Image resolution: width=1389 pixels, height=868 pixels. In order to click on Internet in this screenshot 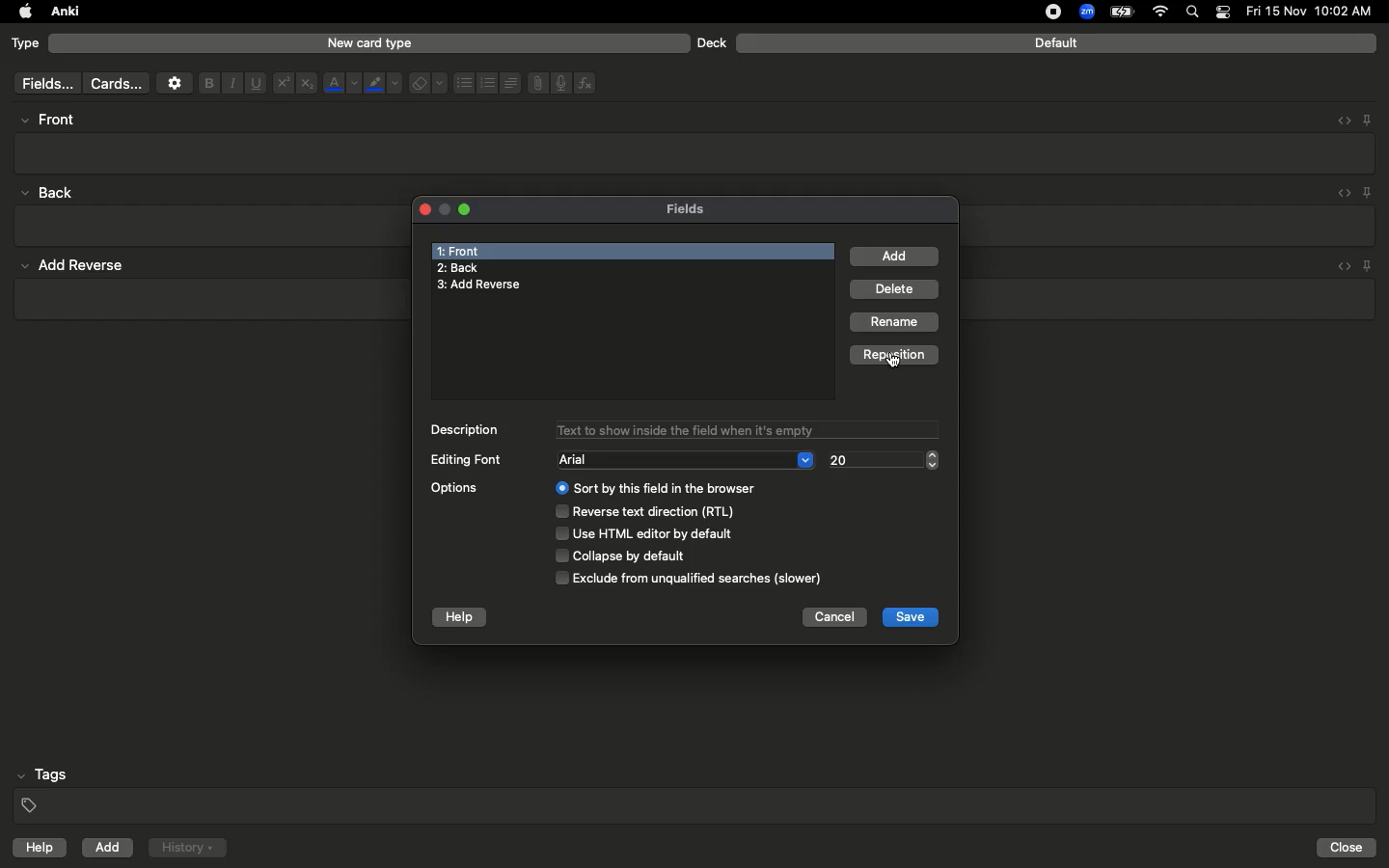, I will do `click(1162, 13)`.